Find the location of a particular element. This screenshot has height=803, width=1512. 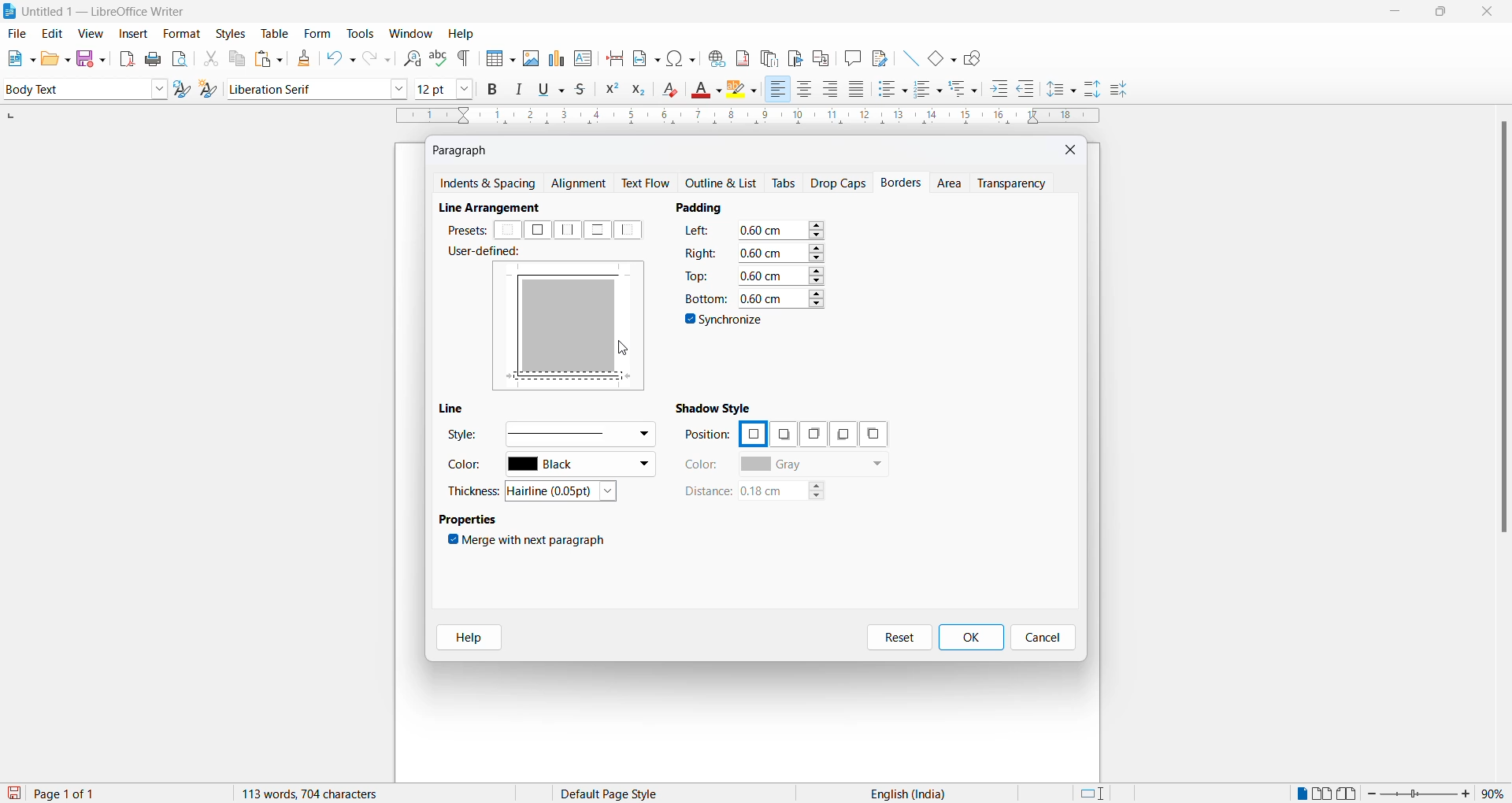

insert image is located at coordinates (497, 60).